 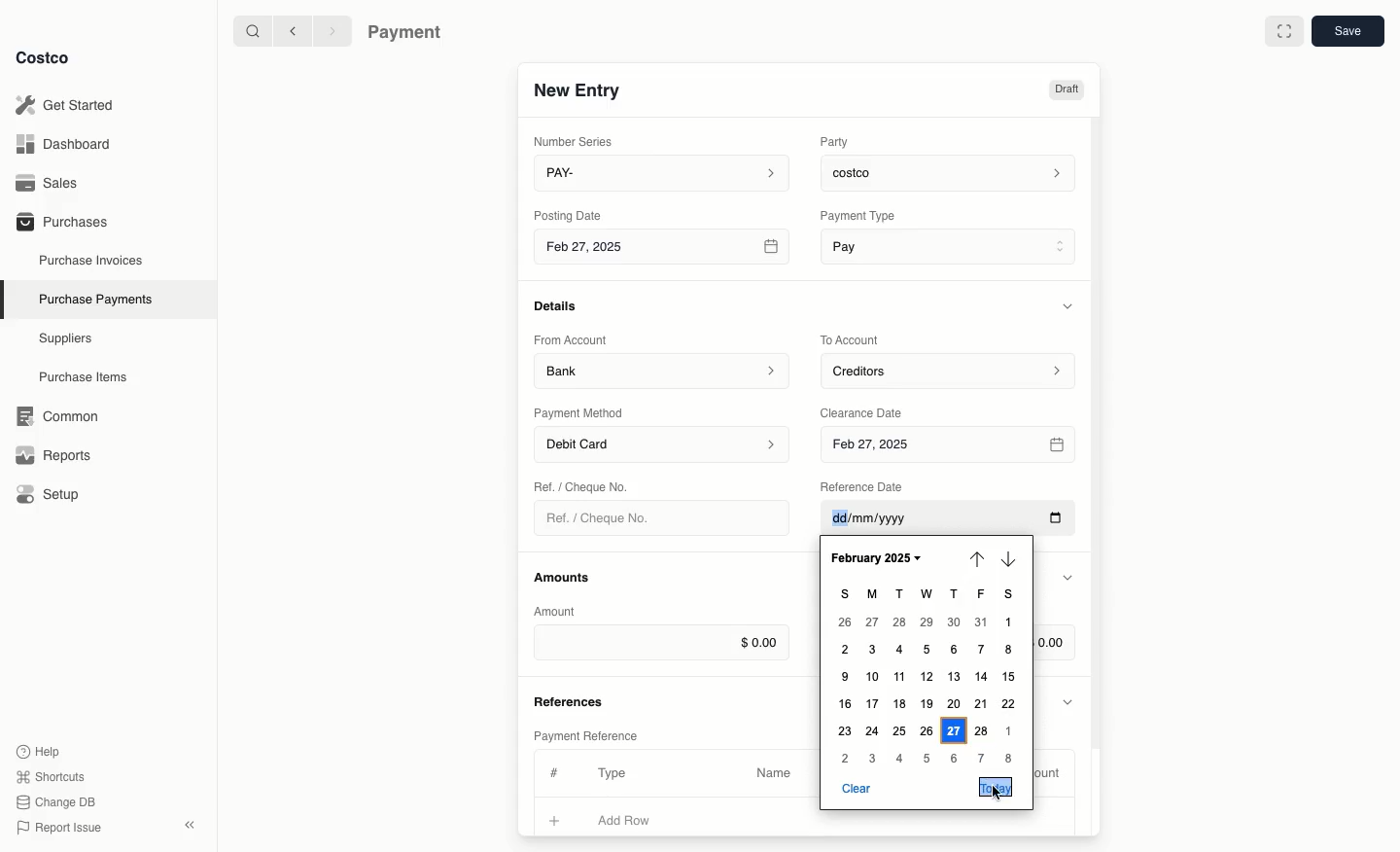 What do you see at coordinates (774, 773) in the screenshot?
I see `Name` at bounding box center [774, 773].